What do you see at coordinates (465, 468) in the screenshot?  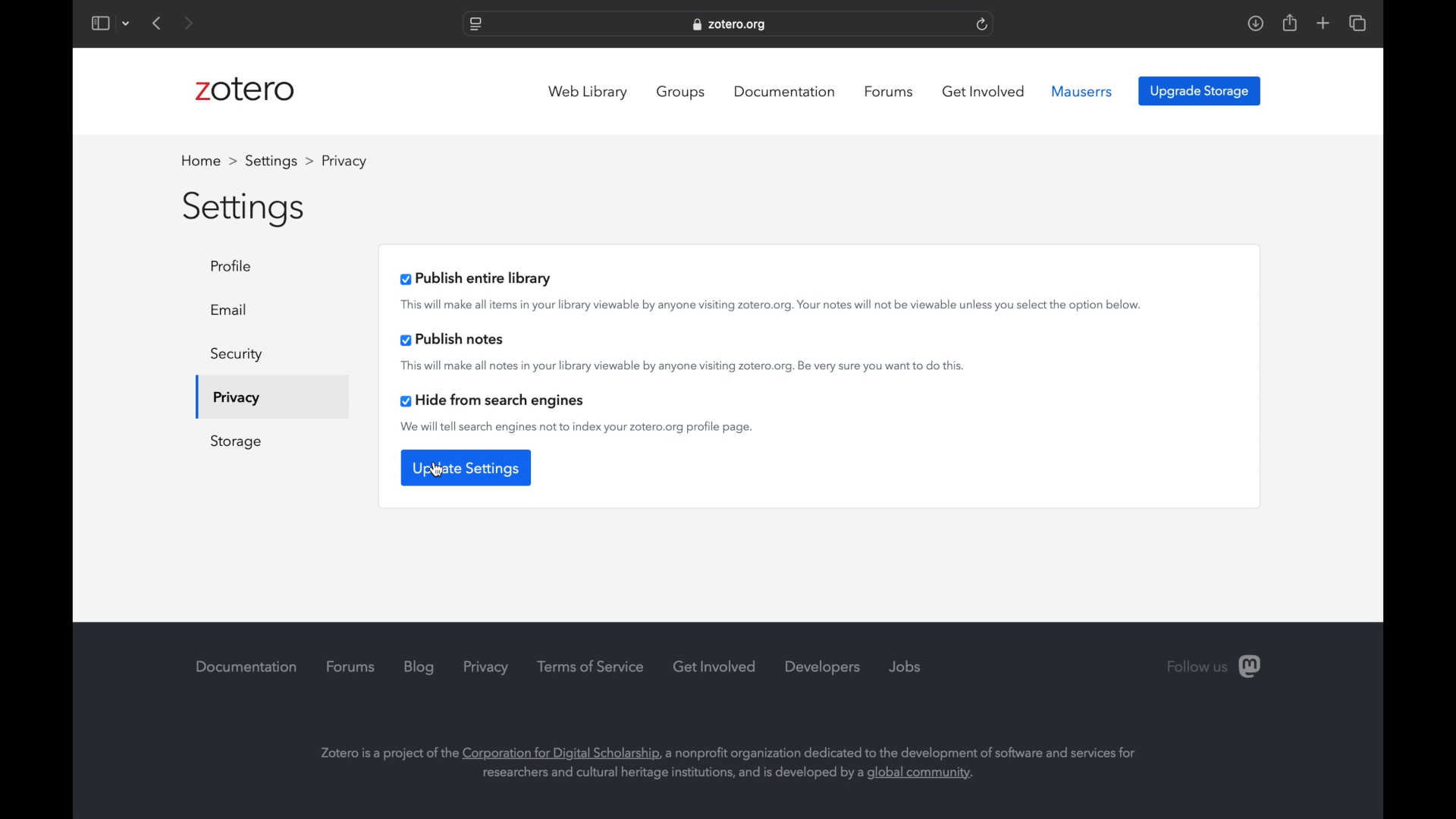 I see `update settings` at bounding box center [465, 468].